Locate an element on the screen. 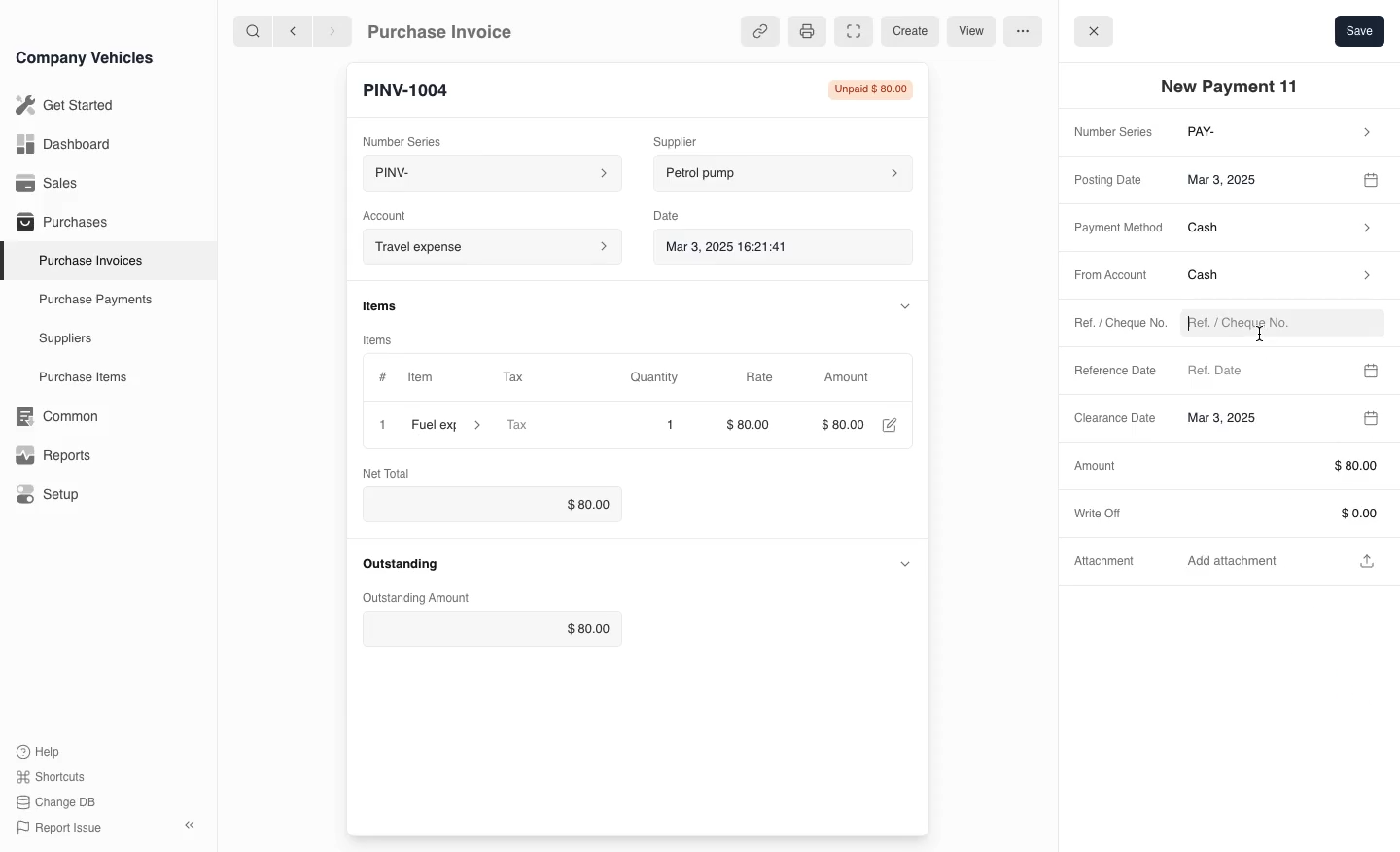  edit is located at coordinates (889, 427).